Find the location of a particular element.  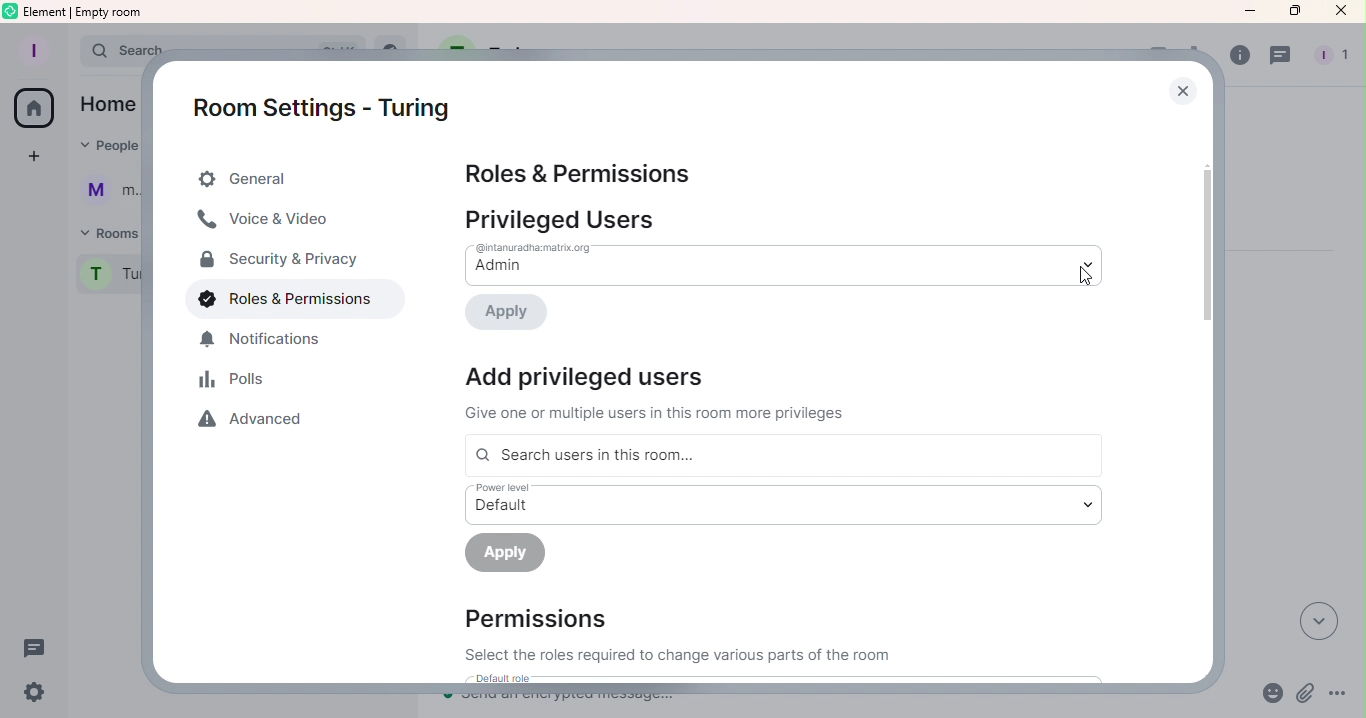

Room is located at coordinates (104, 278).